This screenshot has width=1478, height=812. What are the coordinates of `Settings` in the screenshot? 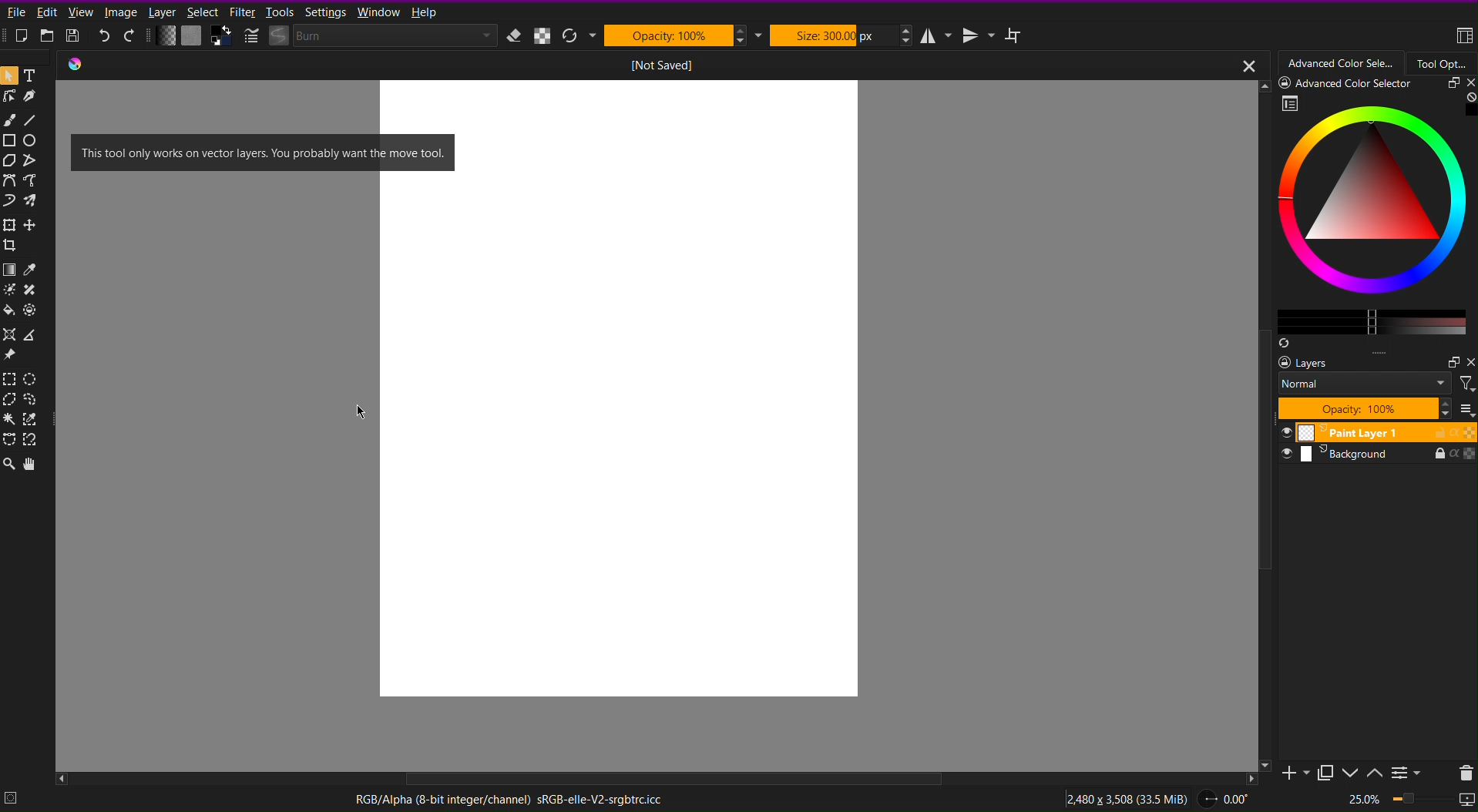 It's located at (325, 12).